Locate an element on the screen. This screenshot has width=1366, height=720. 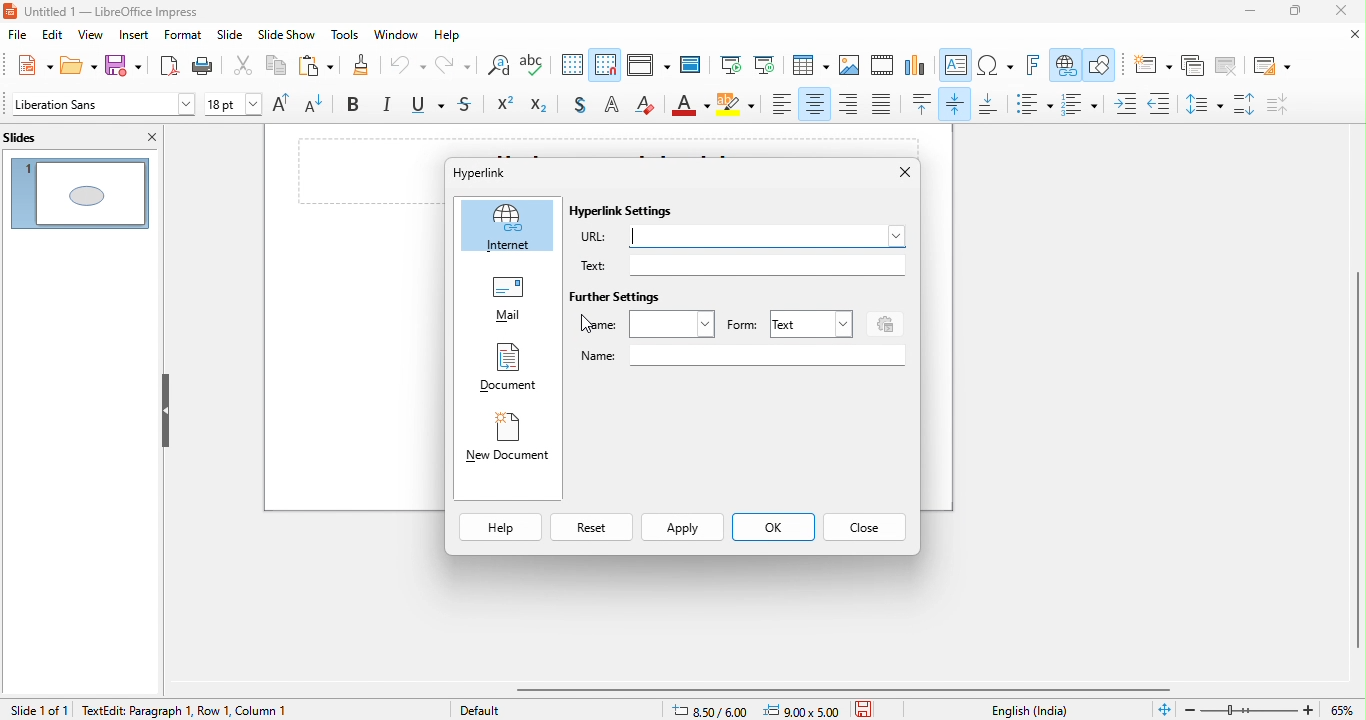
hide is located at coordinates (165, 410).